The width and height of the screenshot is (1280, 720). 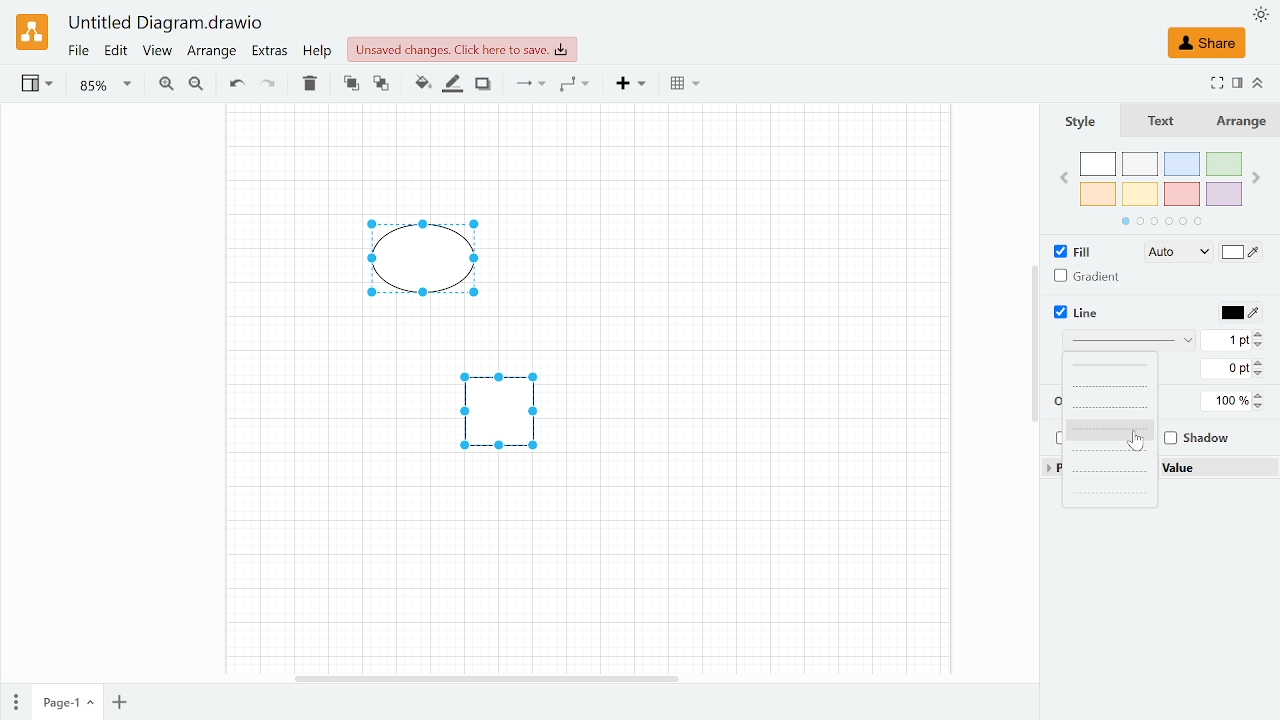 What do you see at coordinates (1079, 122) in the screenshot?
I see `Style` at bounding box center [1079, 122].